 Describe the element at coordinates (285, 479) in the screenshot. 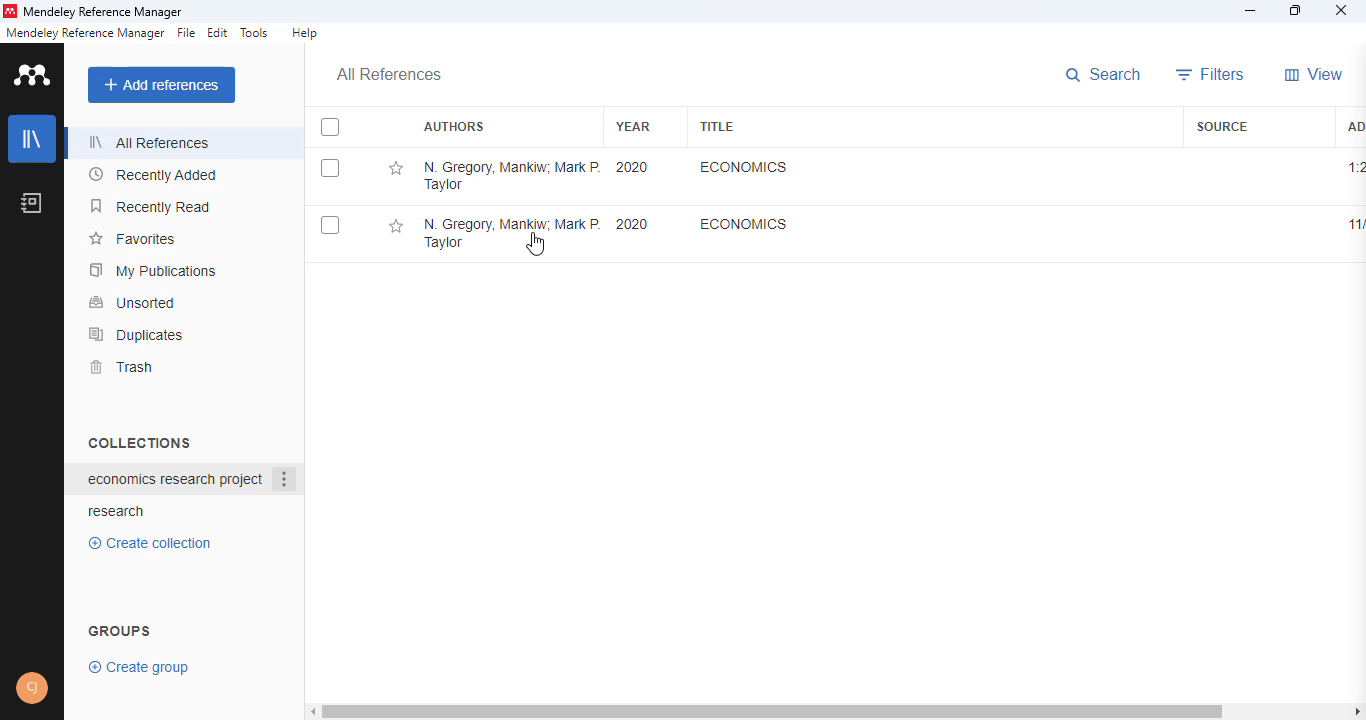

I see `more actions` at that location.